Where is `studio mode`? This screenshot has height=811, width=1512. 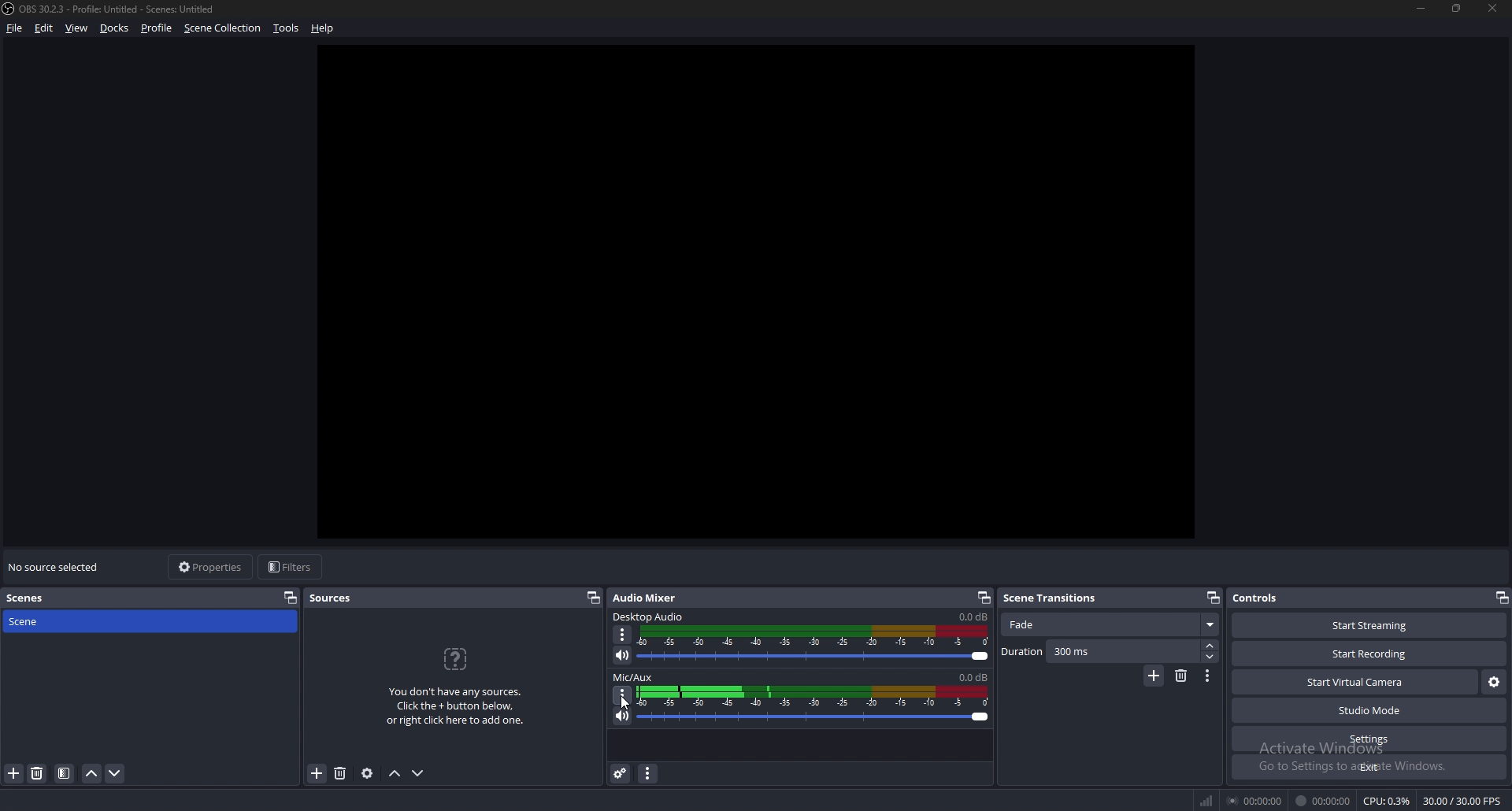 studio mode is located at coordinates (1370, 710).